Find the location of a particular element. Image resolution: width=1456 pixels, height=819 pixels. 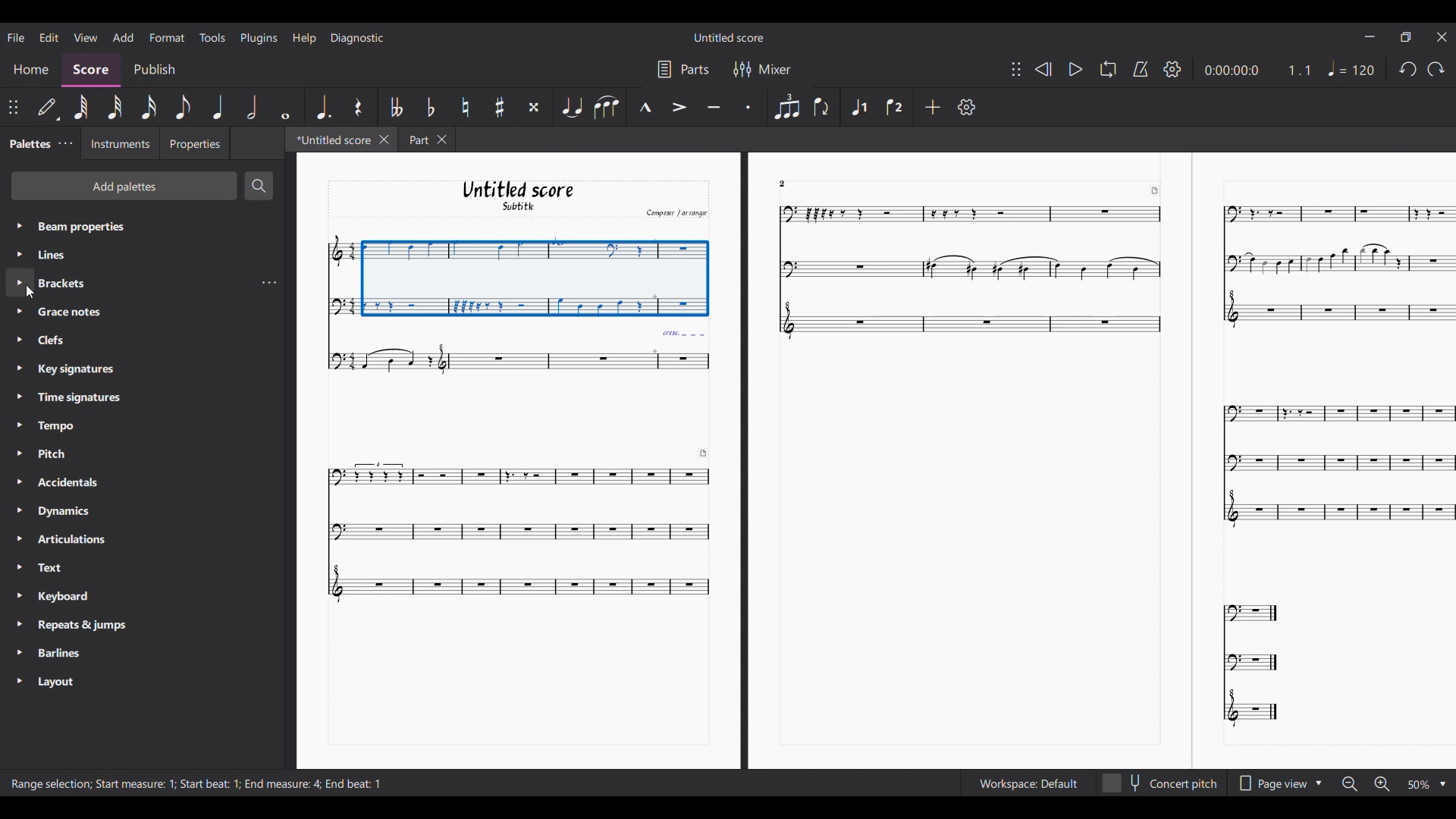

Current duration and ratio is located at coordinates (1258, 70).